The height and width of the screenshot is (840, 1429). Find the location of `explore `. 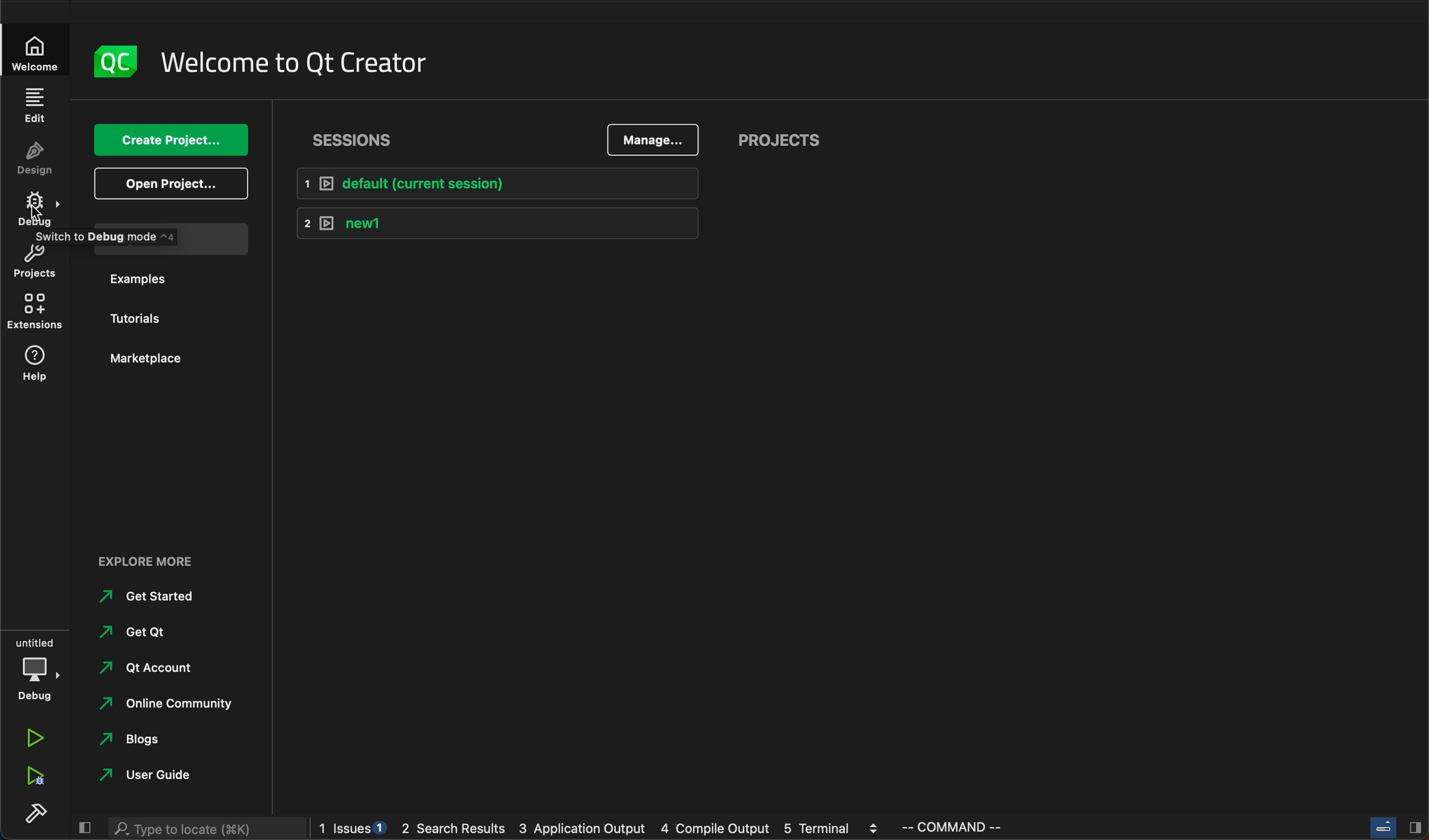

explore  is located at coordinates (171, 563).